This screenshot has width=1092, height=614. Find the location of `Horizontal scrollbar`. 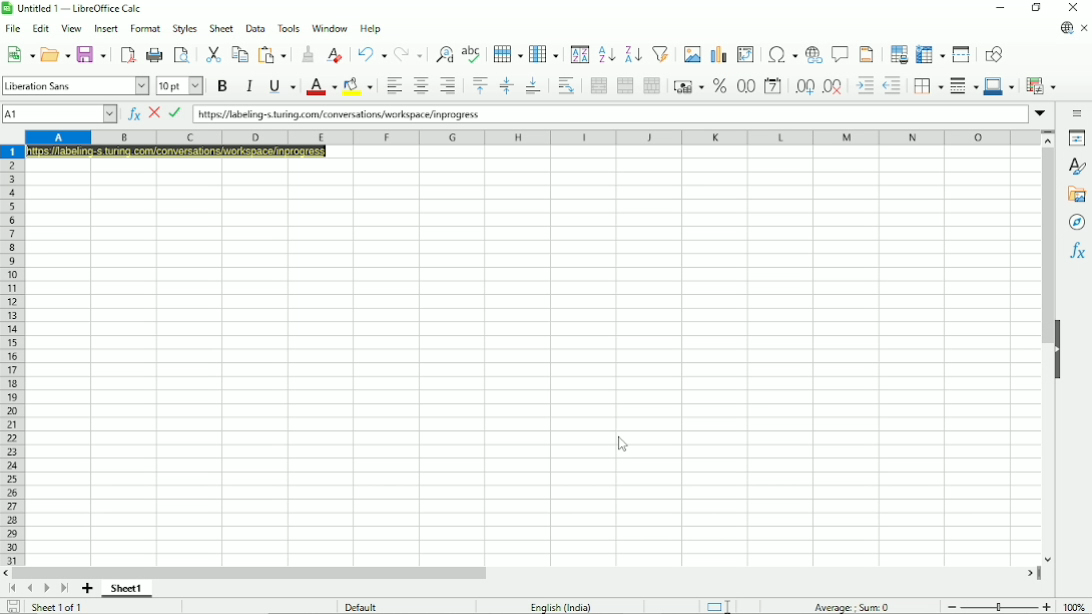

Horizontal scrollbar is located at coordinates (249, 572).